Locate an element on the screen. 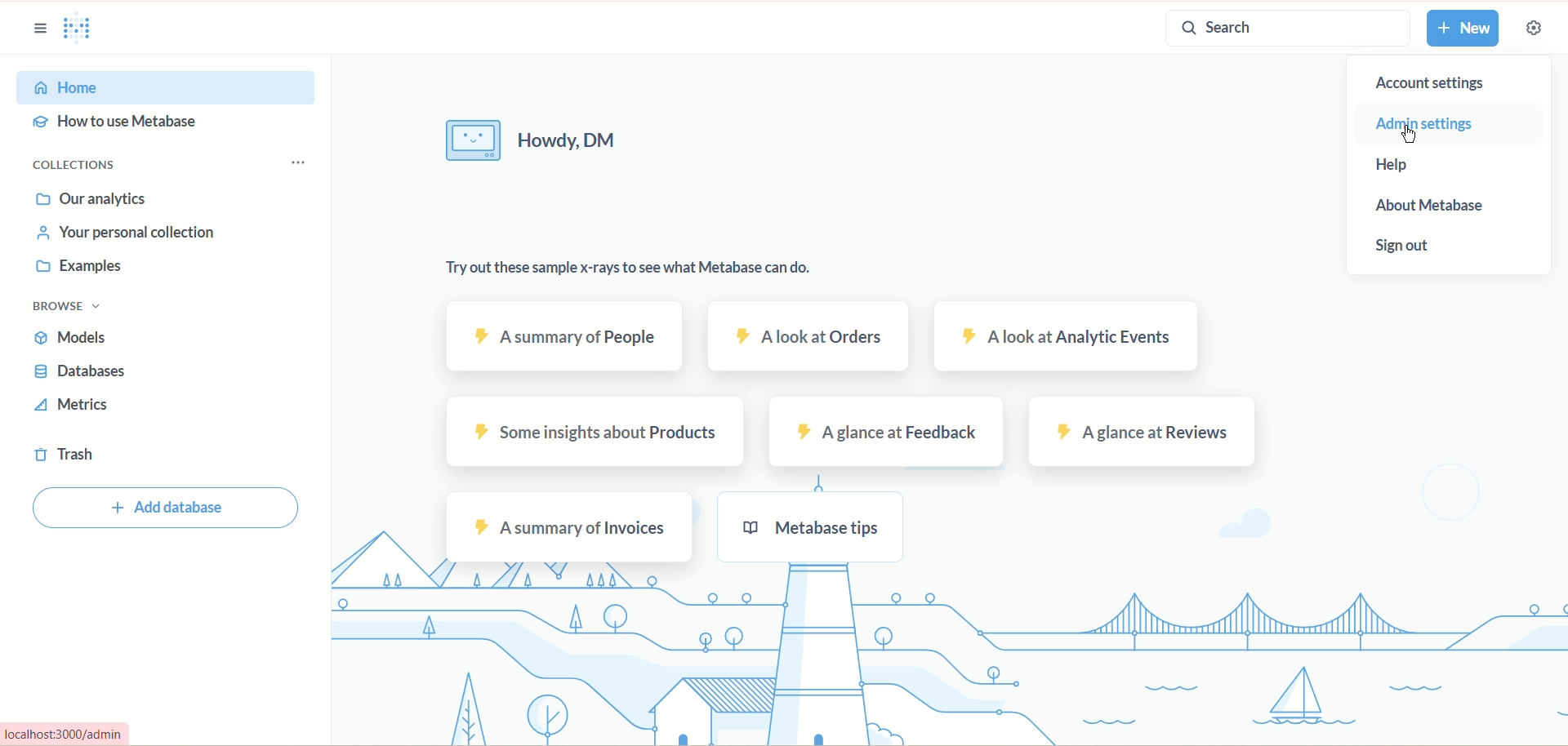  collections is located at coordinates (80, 168).